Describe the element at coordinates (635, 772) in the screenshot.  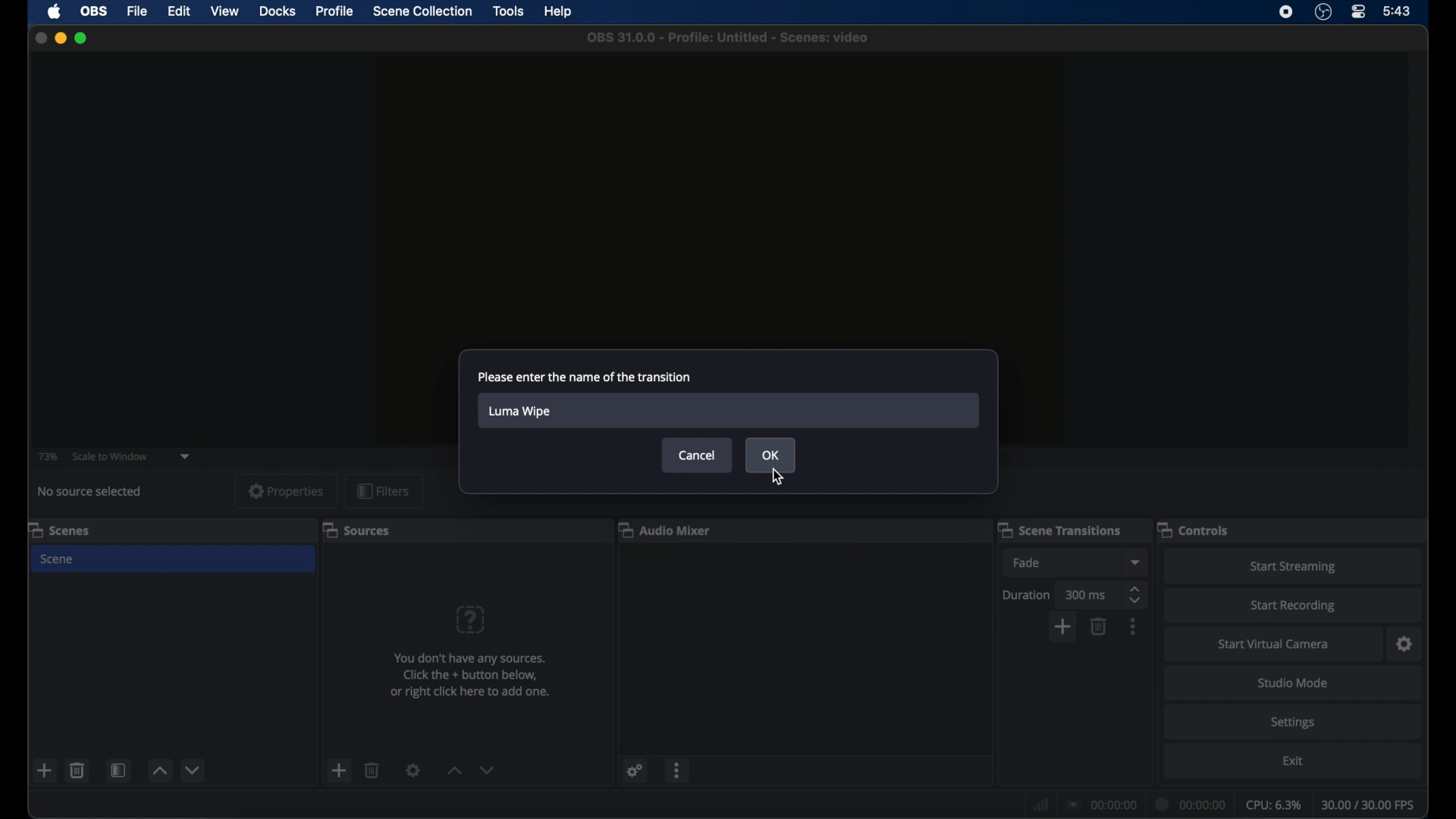
I see `settings` at that location.